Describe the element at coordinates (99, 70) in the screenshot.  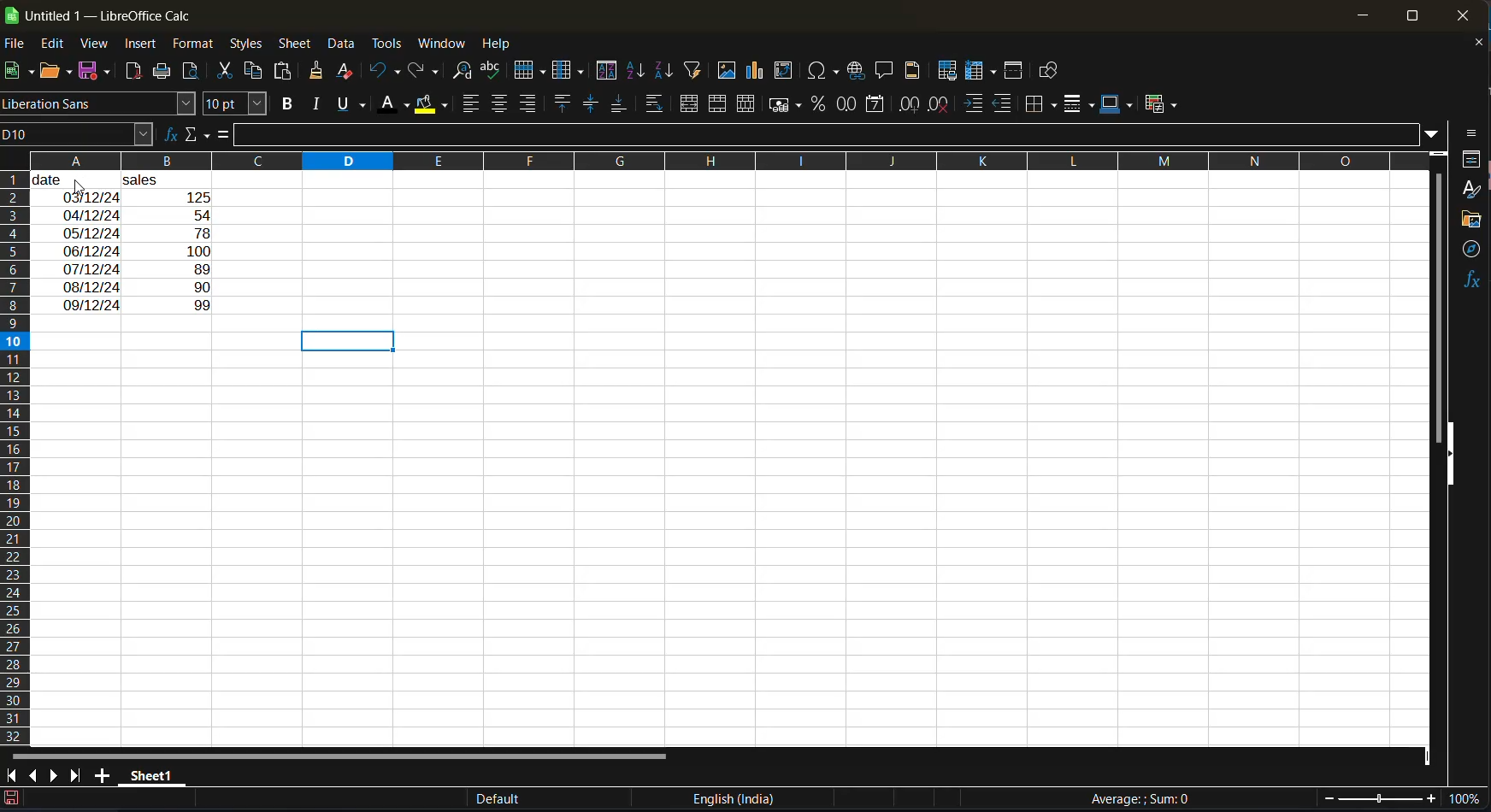
I see `save` at that location.